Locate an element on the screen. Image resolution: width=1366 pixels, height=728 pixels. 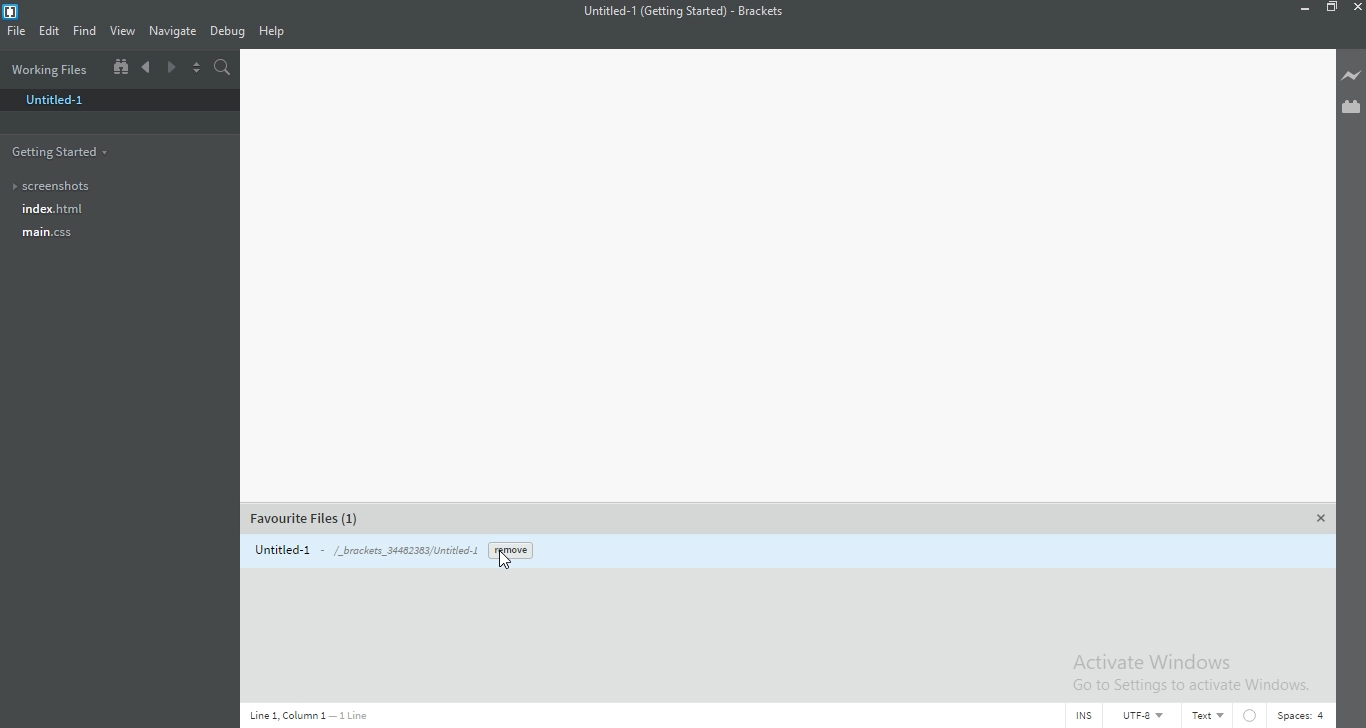
Line code data is located at coordinates (307, 716).